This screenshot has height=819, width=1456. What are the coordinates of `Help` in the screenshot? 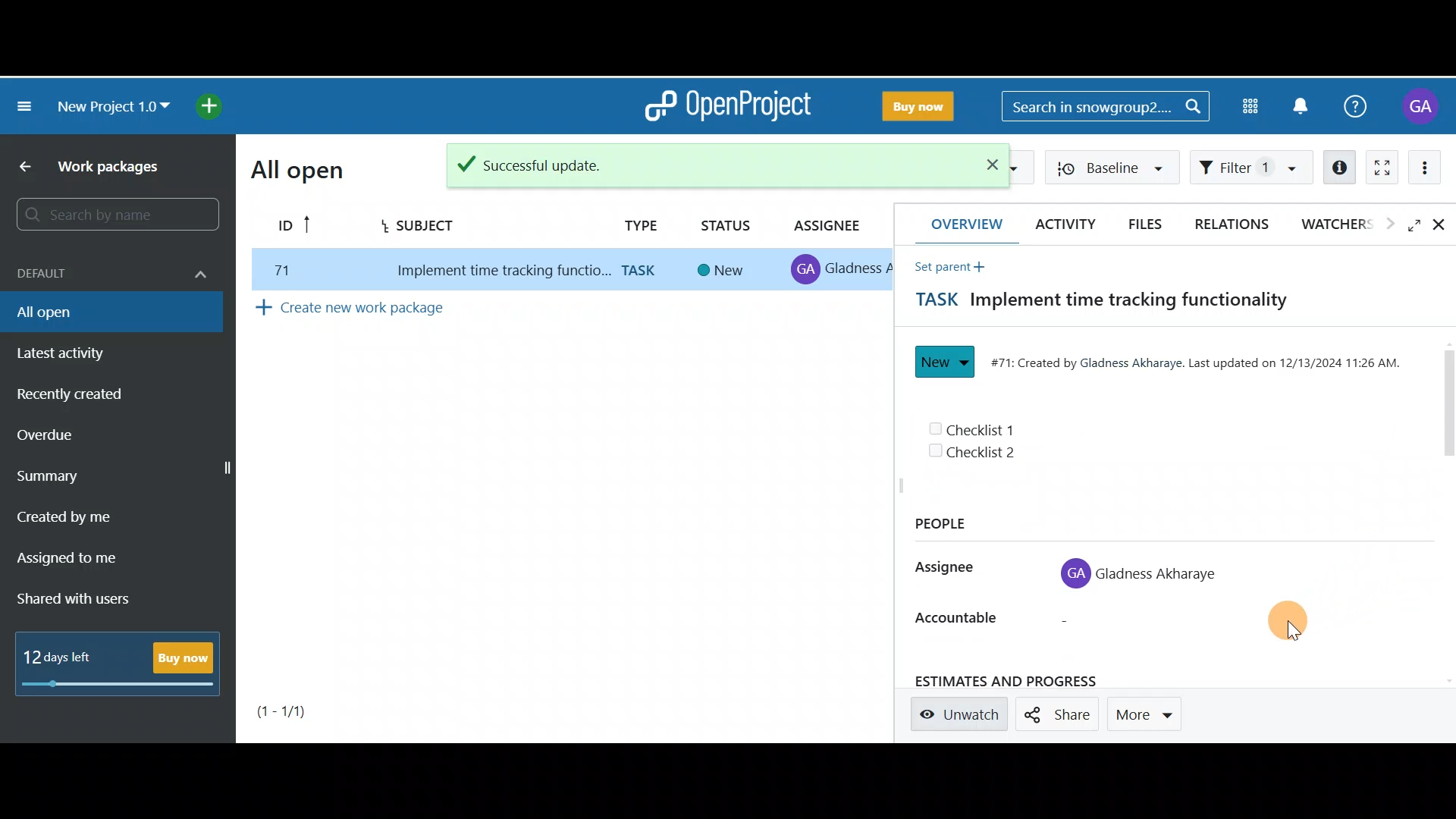 It's located at (1359, 111).